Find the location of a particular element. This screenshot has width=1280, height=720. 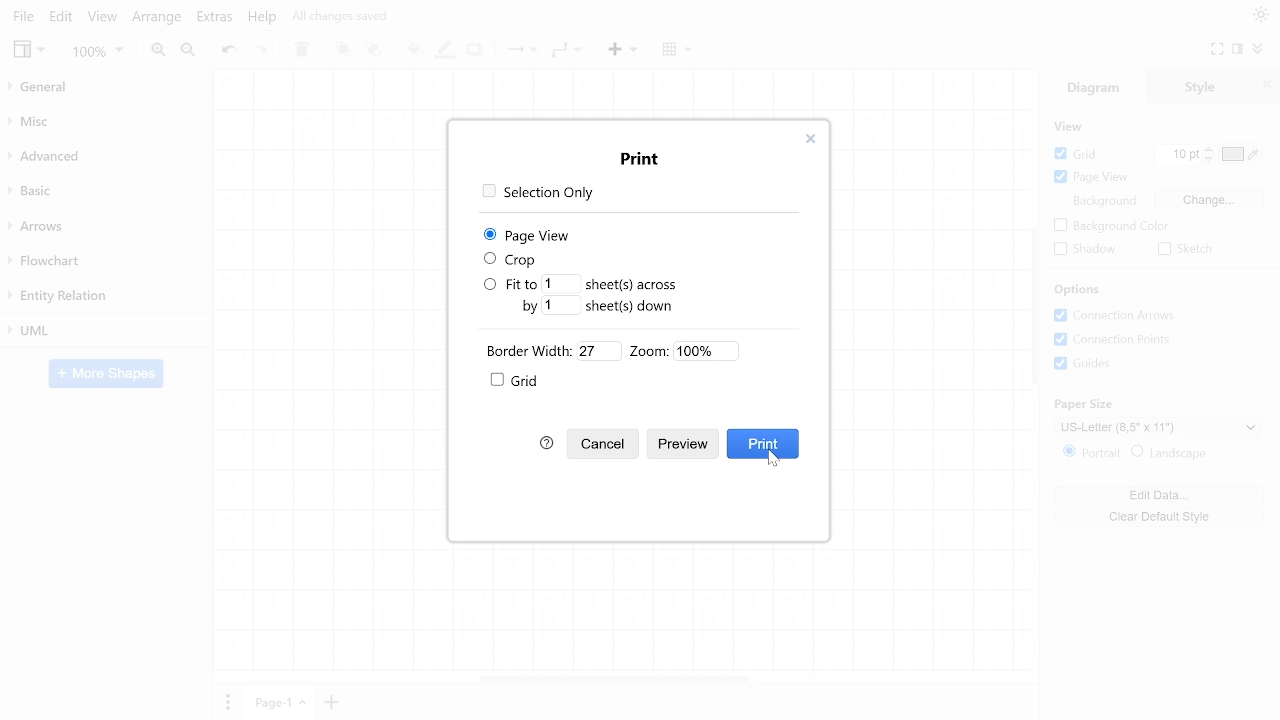

All changes saved is located at coordinates (352, 19).